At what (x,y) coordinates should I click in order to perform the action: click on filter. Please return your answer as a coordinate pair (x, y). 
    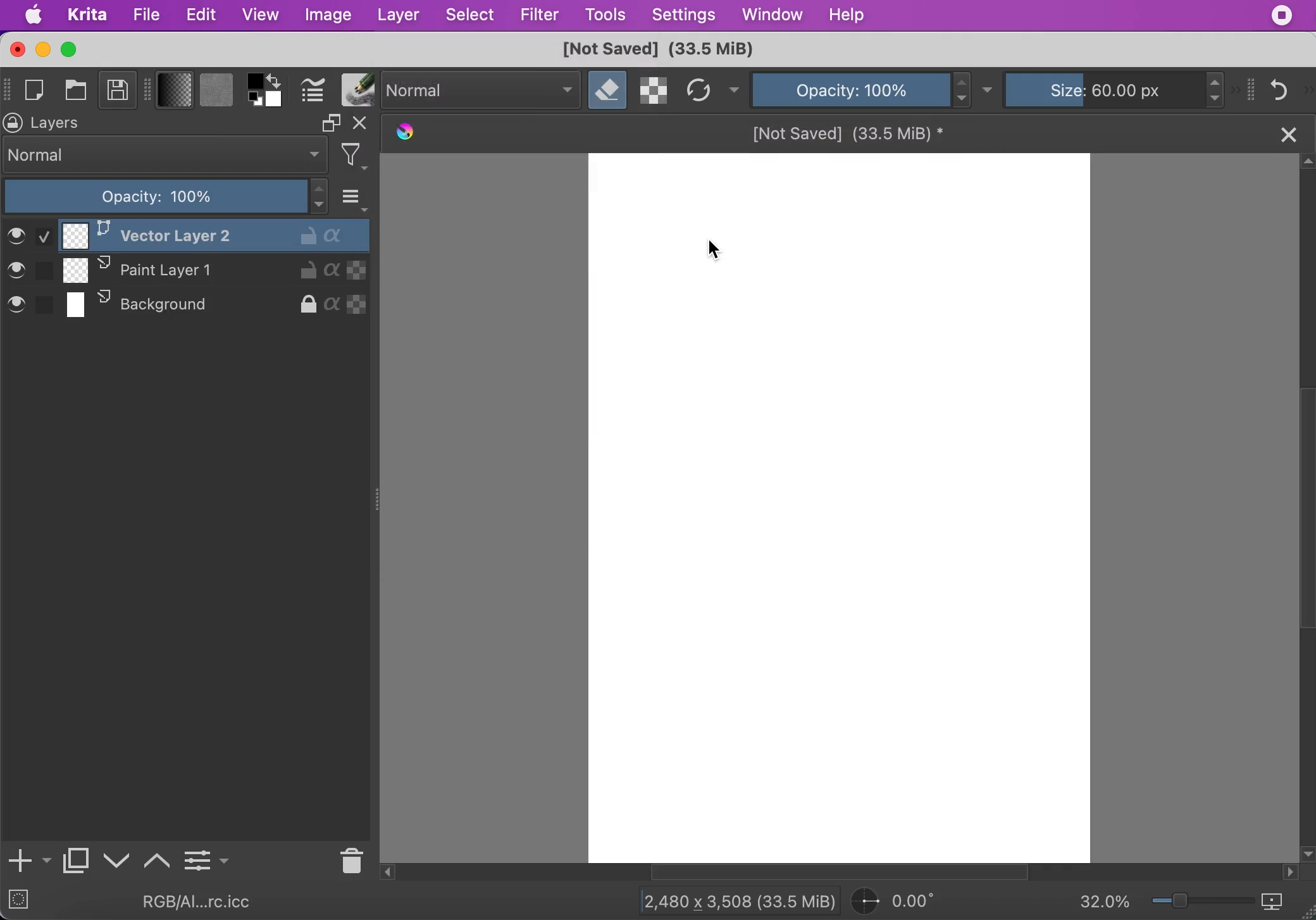
    Looking at the image, I should click on (539, 15).